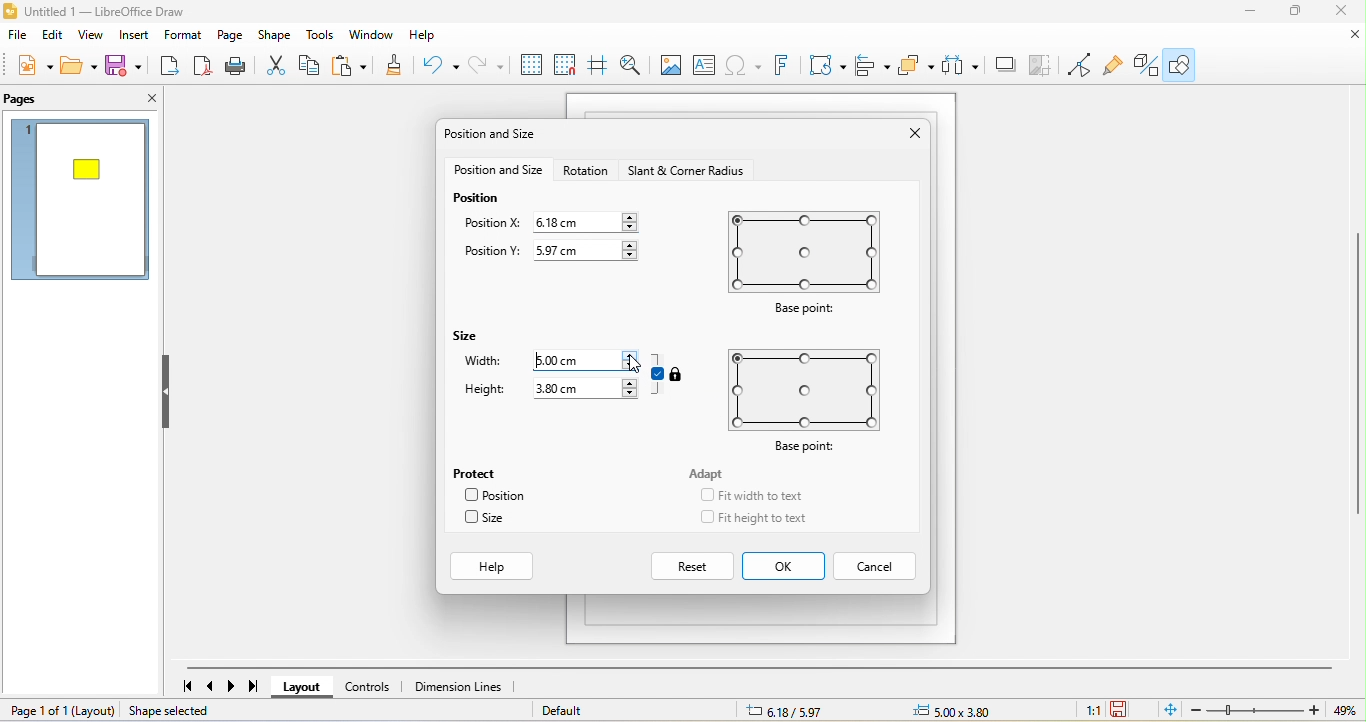  Describe the element at coordinates (1278, 710) in the screenshot. I see `zoom` at that location.